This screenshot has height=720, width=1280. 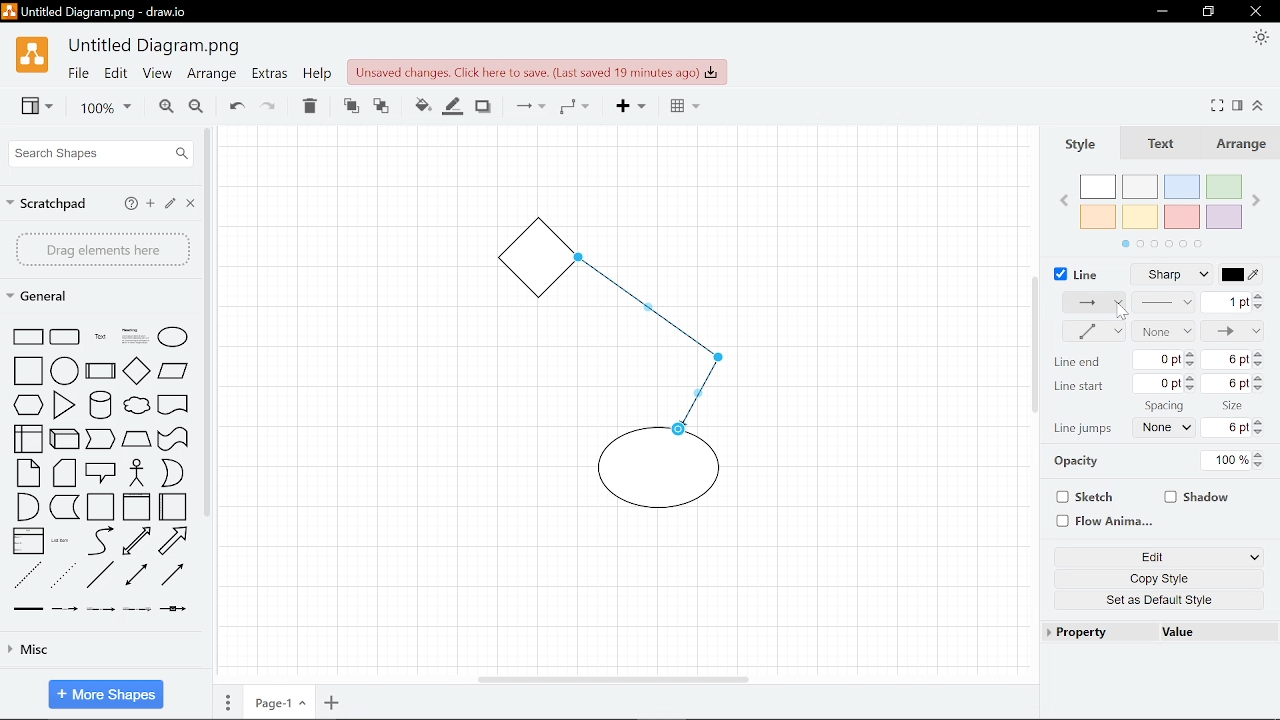 I want to click on Edit, so click(x=1144, y=558).